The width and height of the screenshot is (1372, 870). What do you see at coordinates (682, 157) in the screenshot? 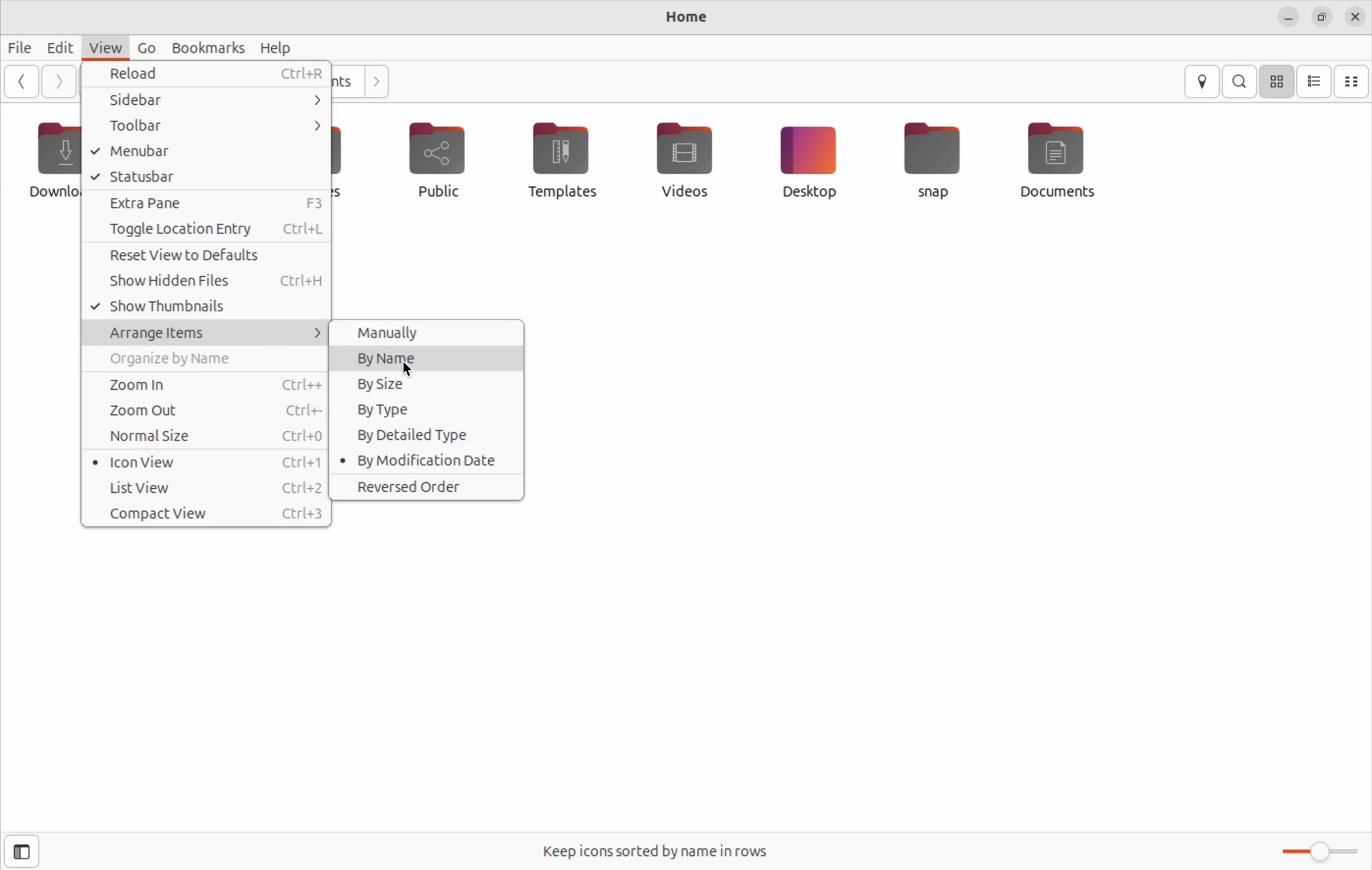
I see `Videos` at bounding box center [682, 157].